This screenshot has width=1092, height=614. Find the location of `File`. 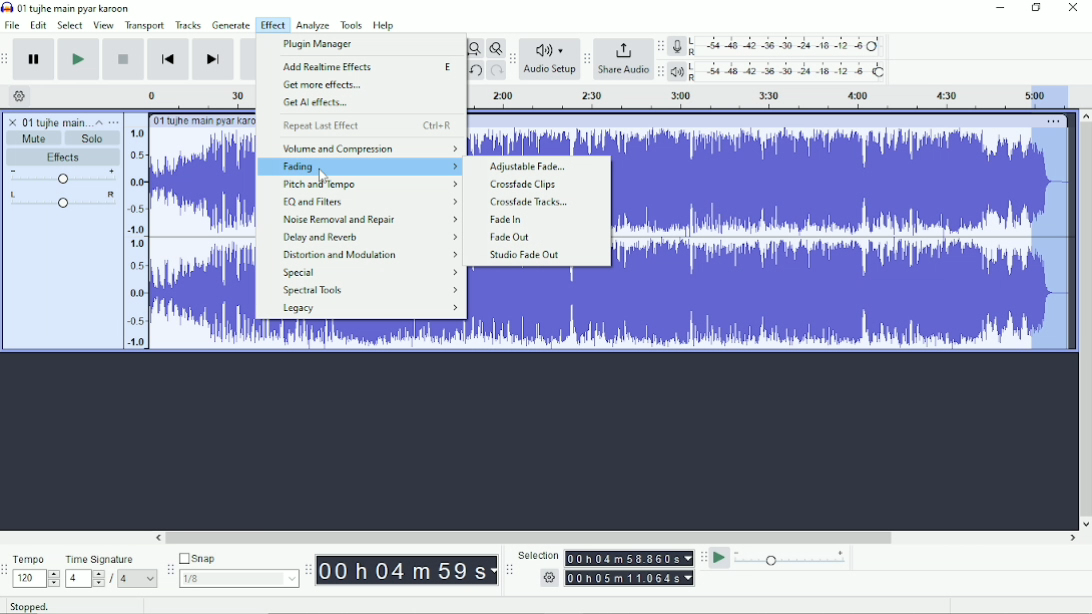

File is located at coordinates (13, 26).